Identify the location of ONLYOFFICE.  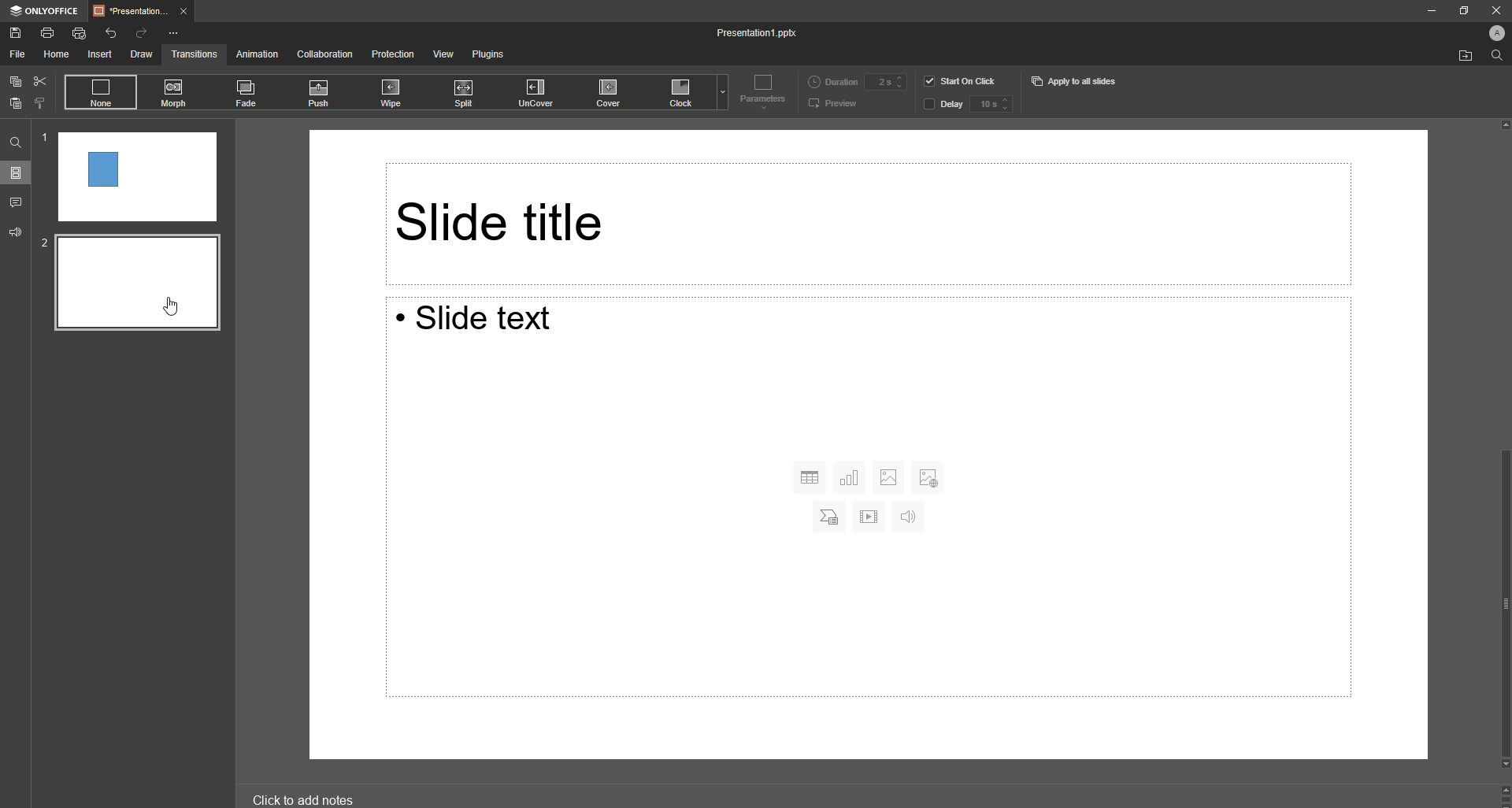
(46, 10).